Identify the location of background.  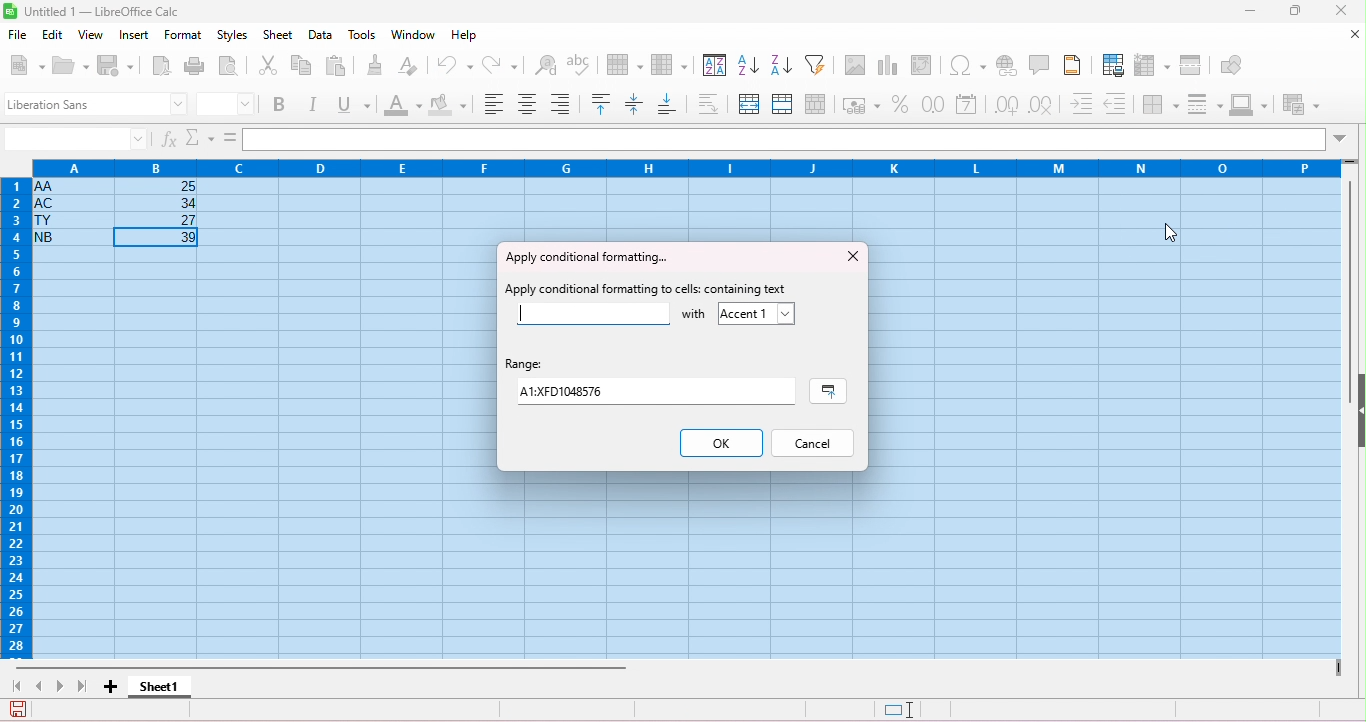
(451, 106).